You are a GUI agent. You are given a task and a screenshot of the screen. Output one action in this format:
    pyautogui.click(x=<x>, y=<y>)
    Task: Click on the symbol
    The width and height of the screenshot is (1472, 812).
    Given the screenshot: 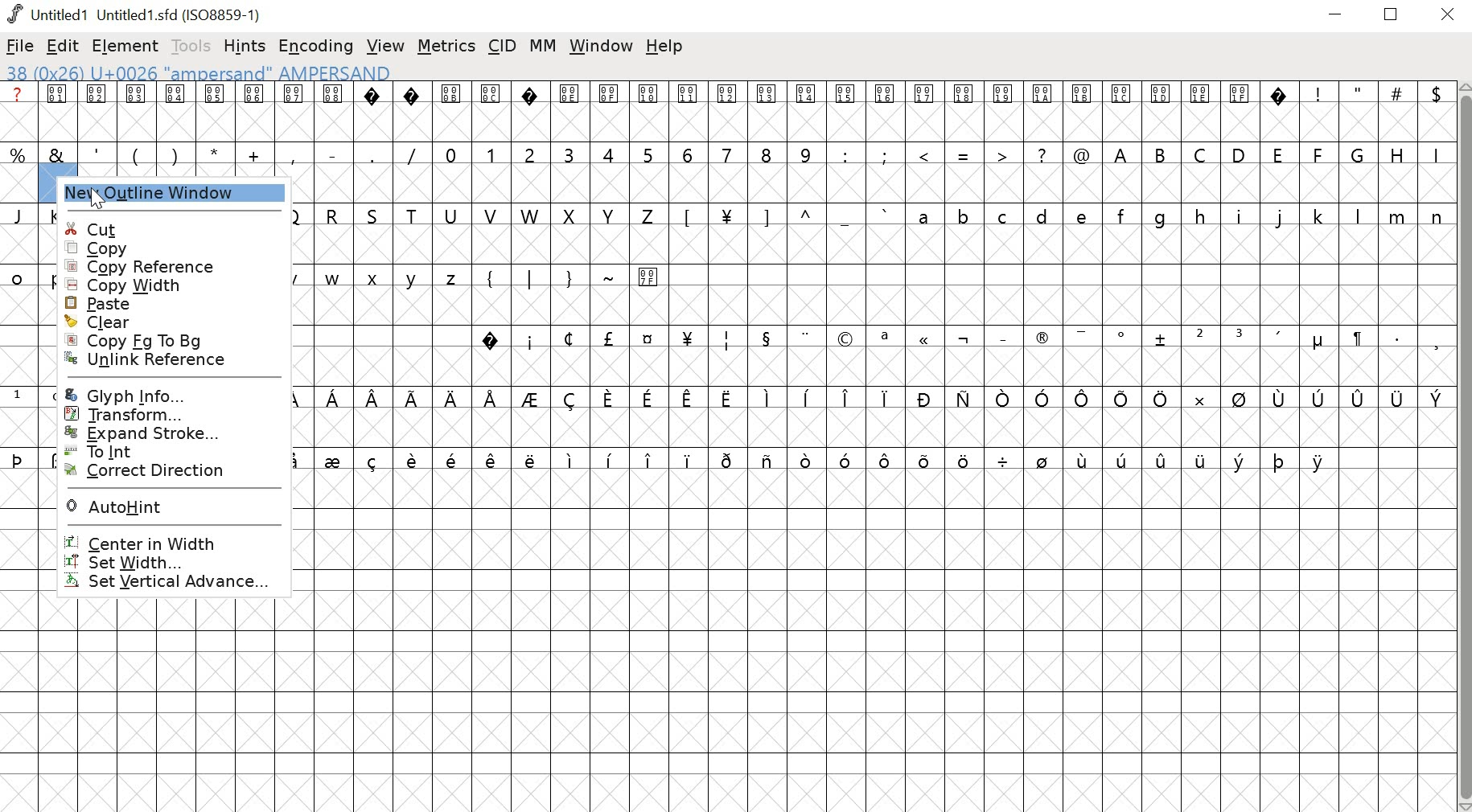 What is the action you would take?
    pyautogui.click(x=1239, y=399)
    